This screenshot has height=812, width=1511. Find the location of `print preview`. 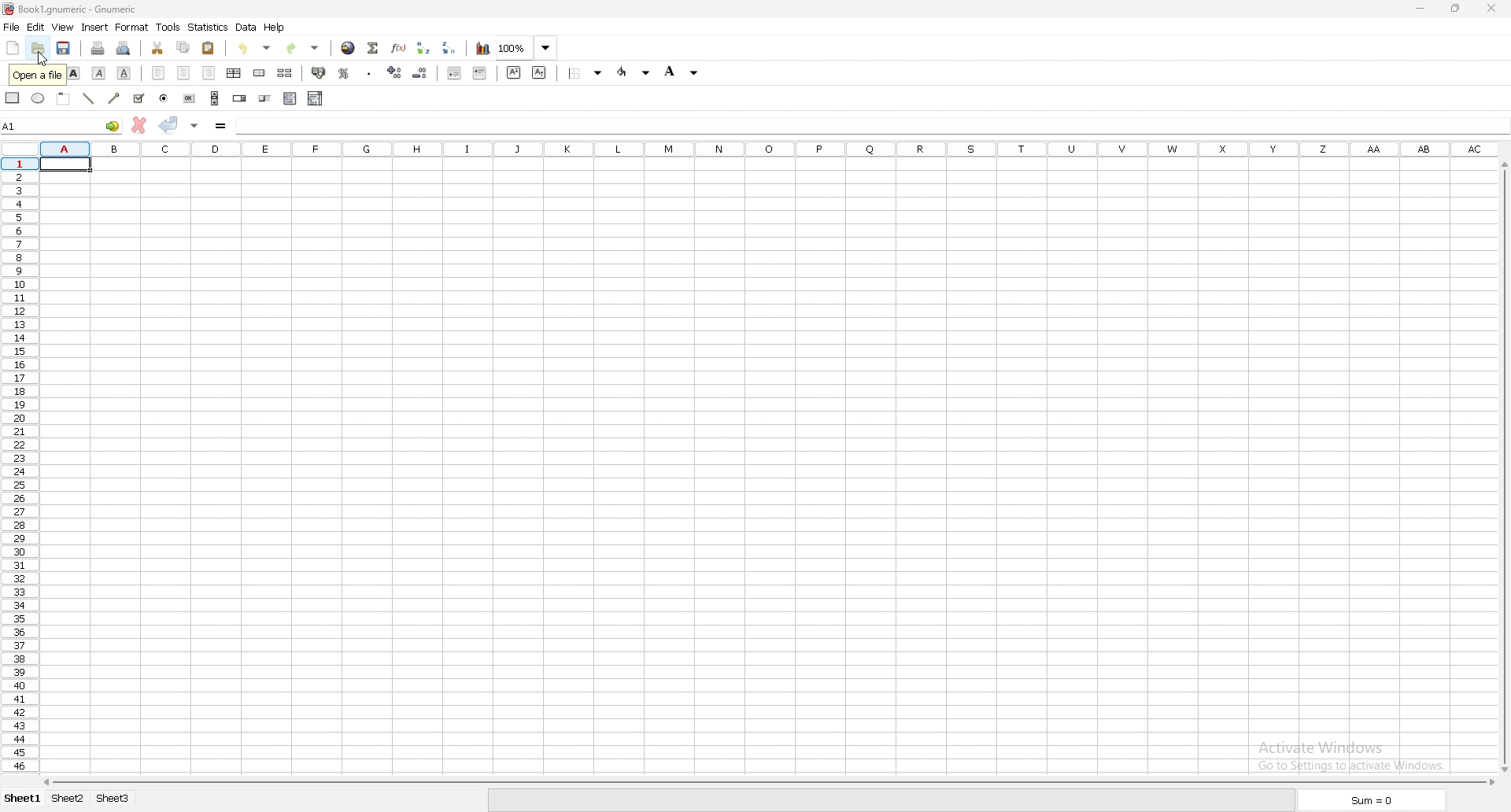

print preview is located at coordinates (126, 49).